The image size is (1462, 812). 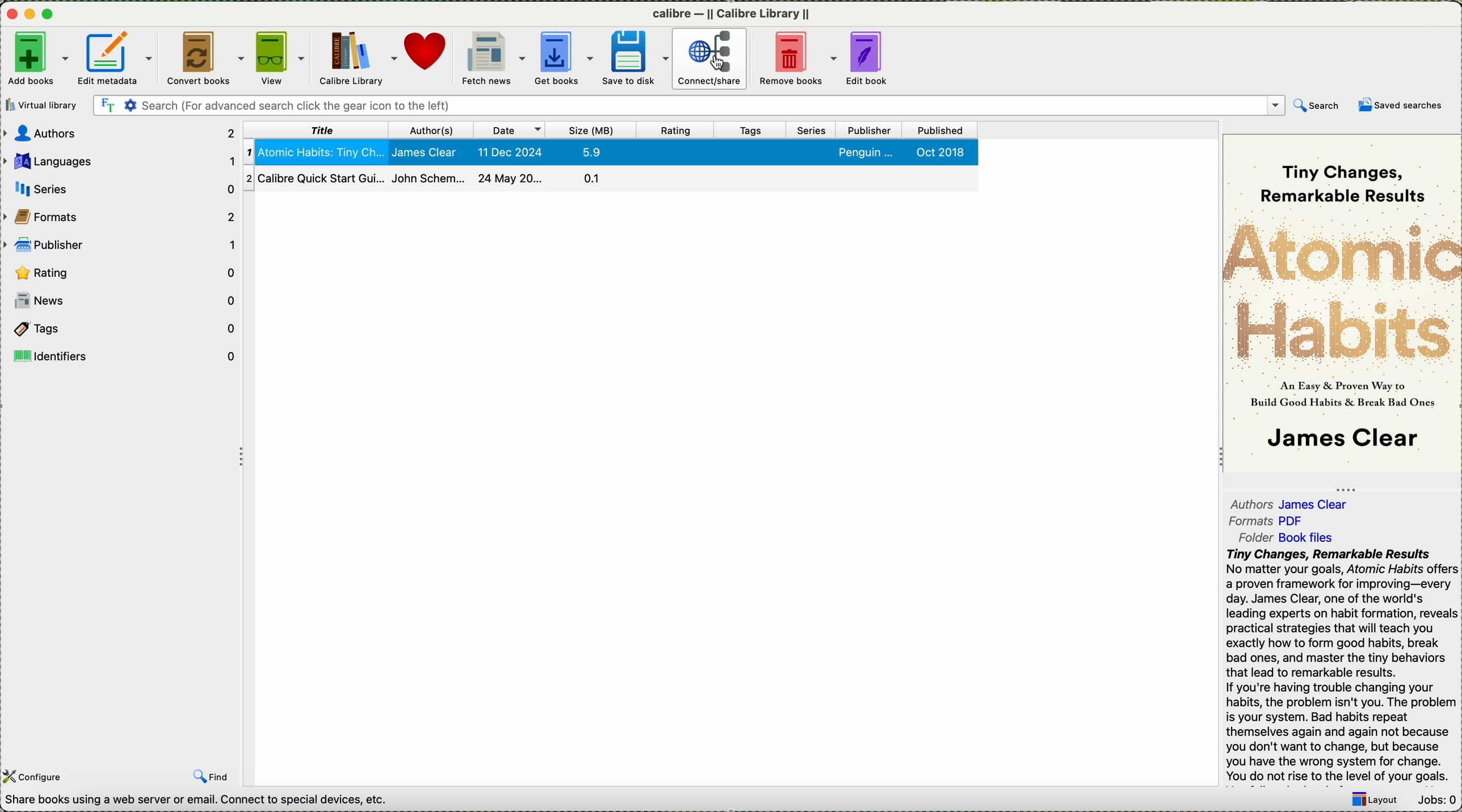 I want to click on tags, so click(x=121, y=330).